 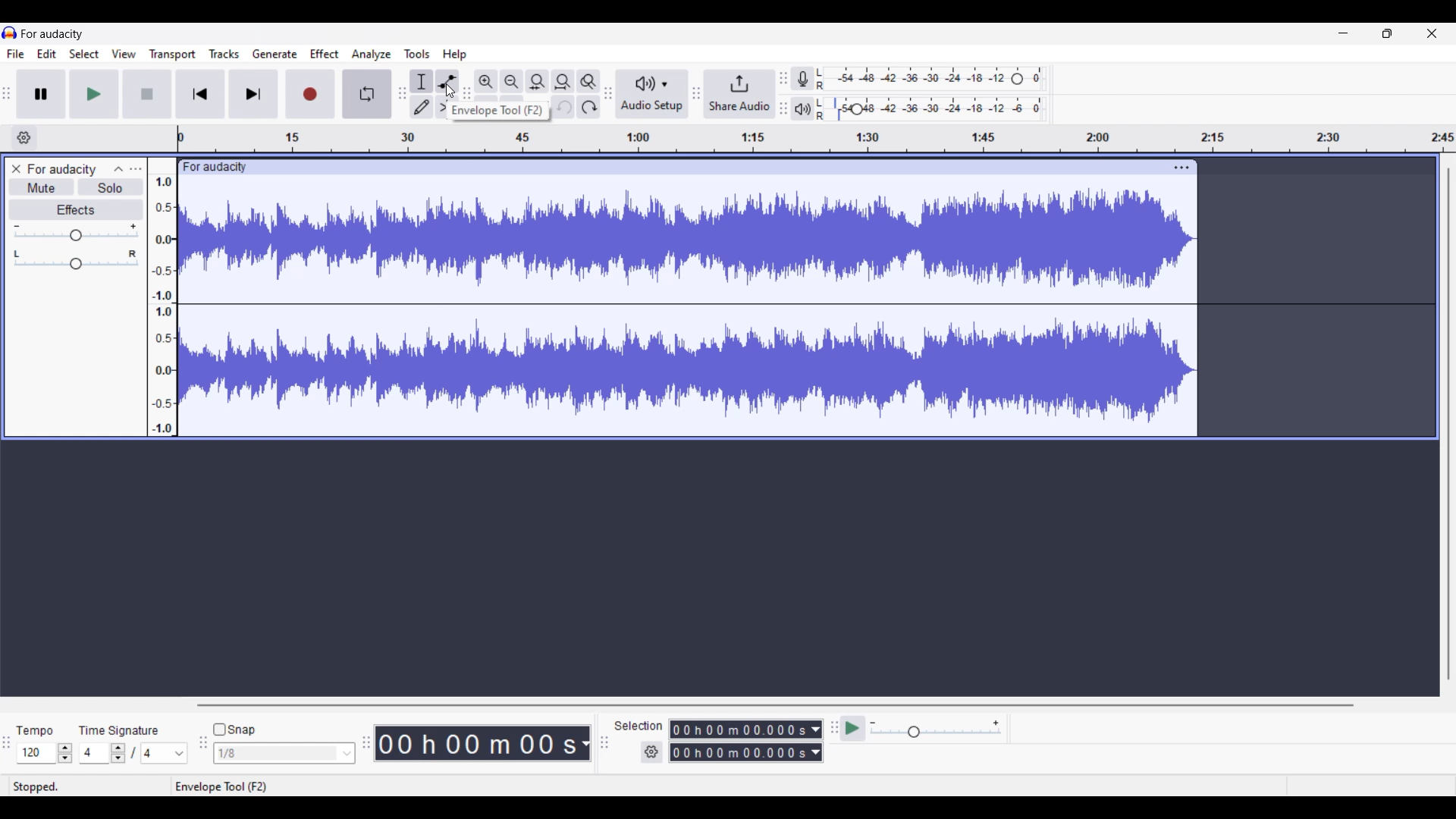 I want to click on cursor, so click(x=450, y=93).